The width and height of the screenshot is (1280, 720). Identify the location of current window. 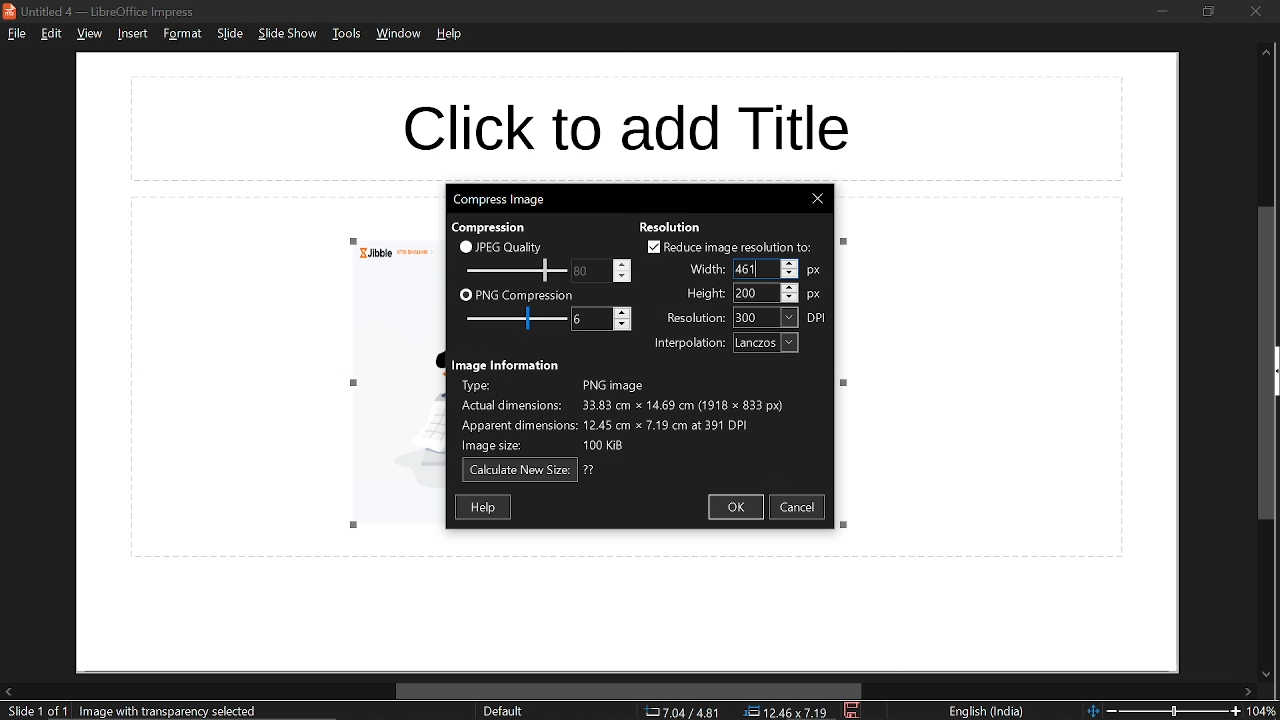
(102, 10).